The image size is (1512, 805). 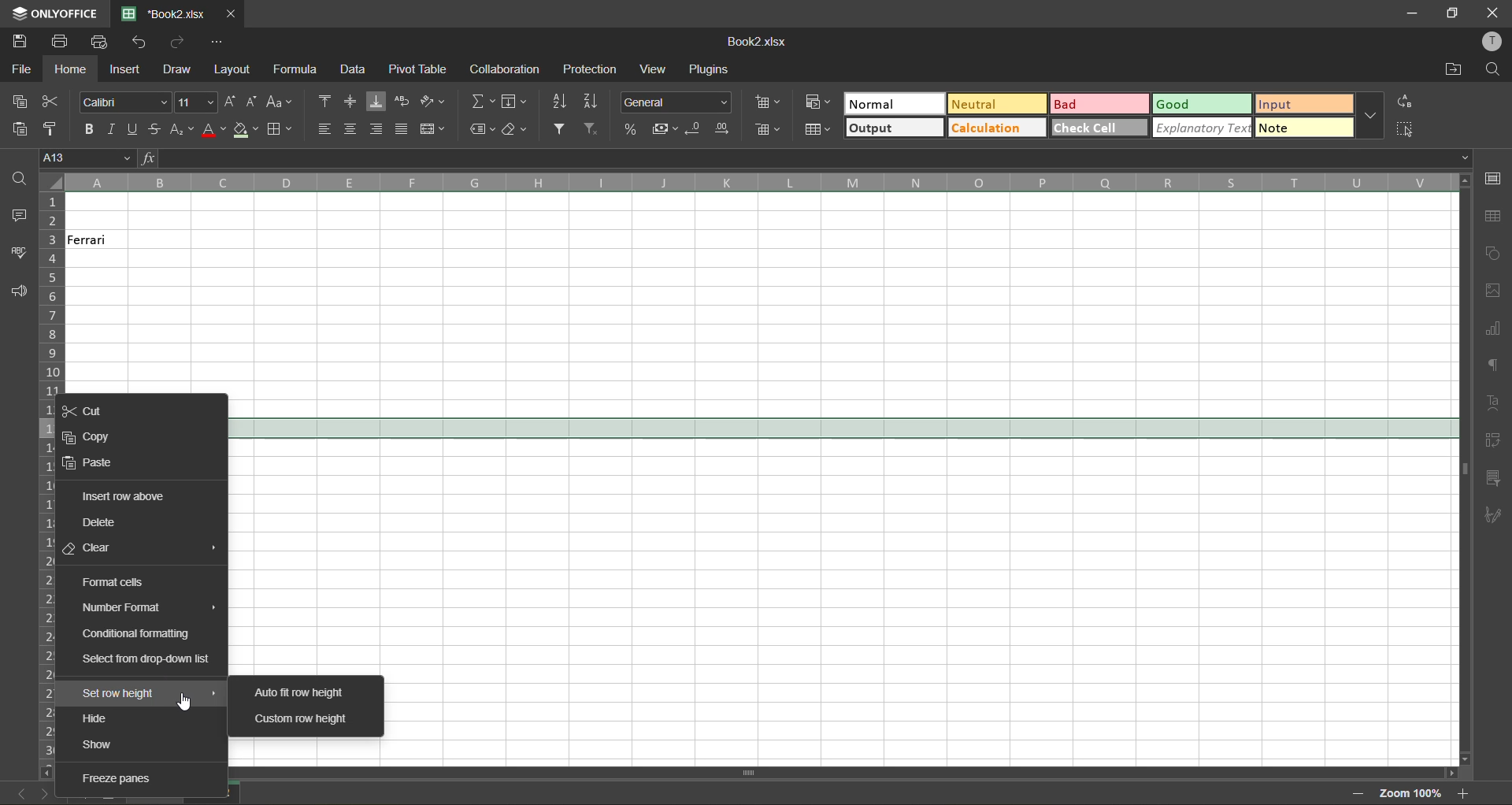 What do you see at coordinates (595, 102) in the screenshot?
I see `sort descending` at bounding box center [595, 102].